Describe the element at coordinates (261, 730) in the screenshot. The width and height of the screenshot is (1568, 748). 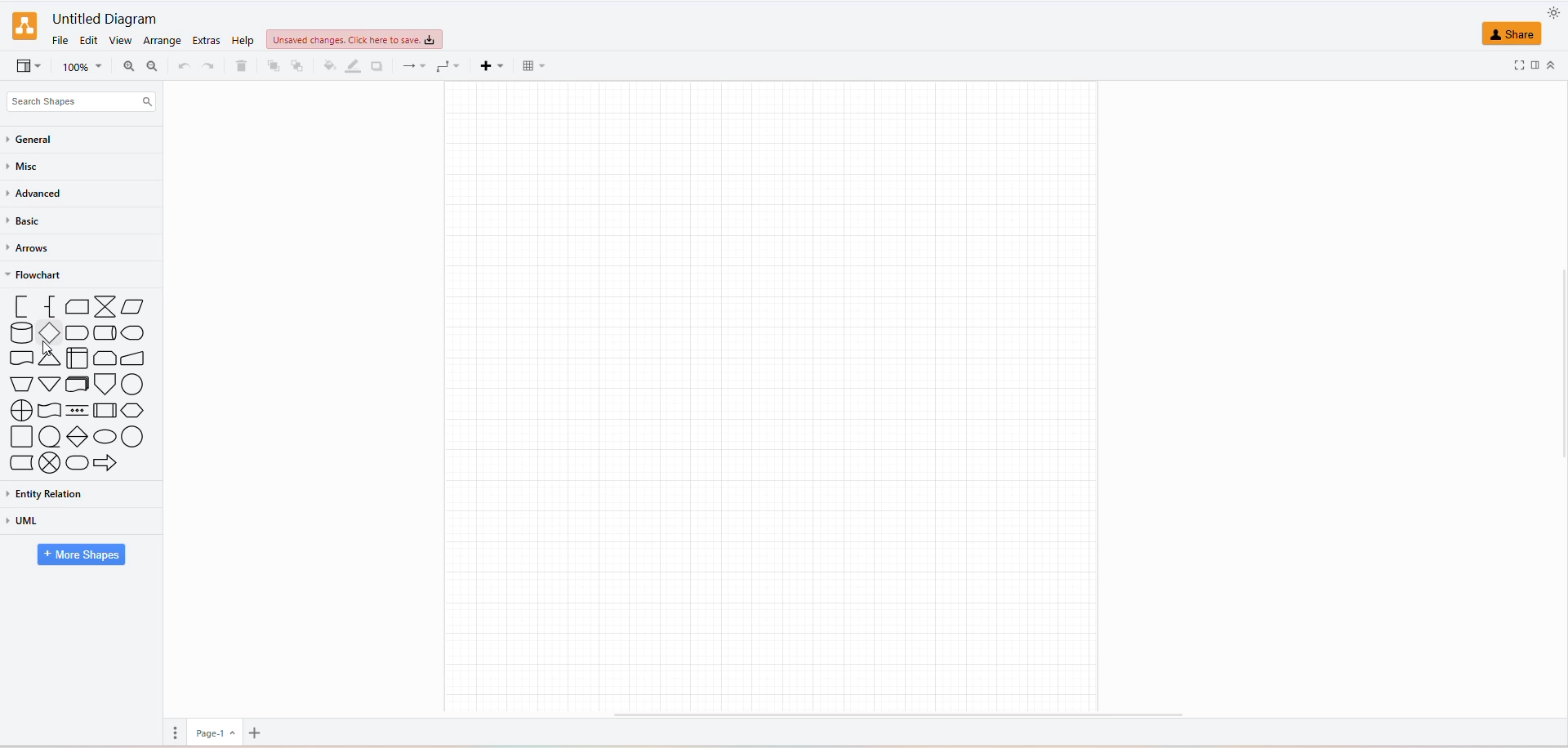
I see `add` at that location.